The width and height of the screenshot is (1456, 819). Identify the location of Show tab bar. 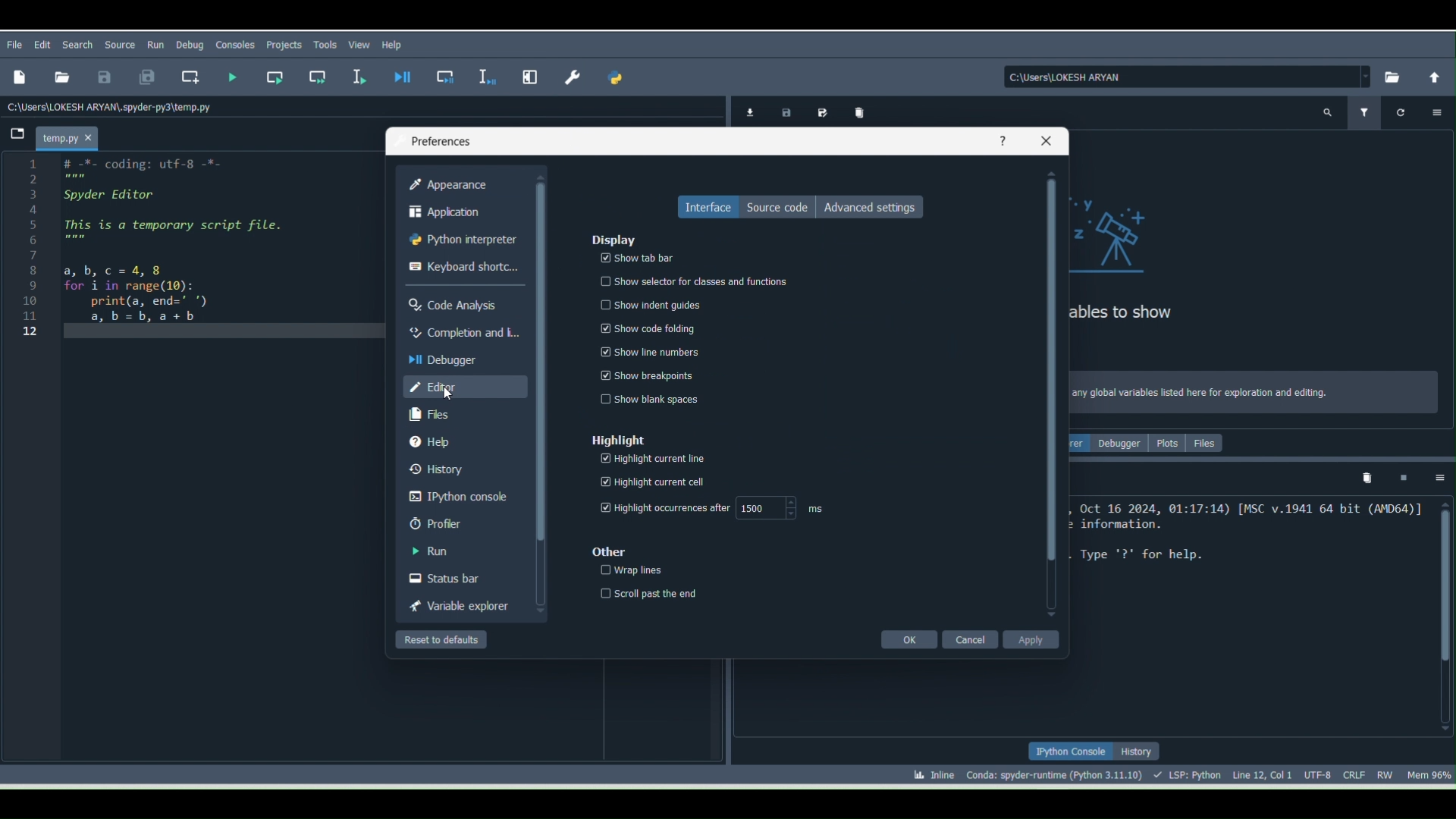
(637, 255).